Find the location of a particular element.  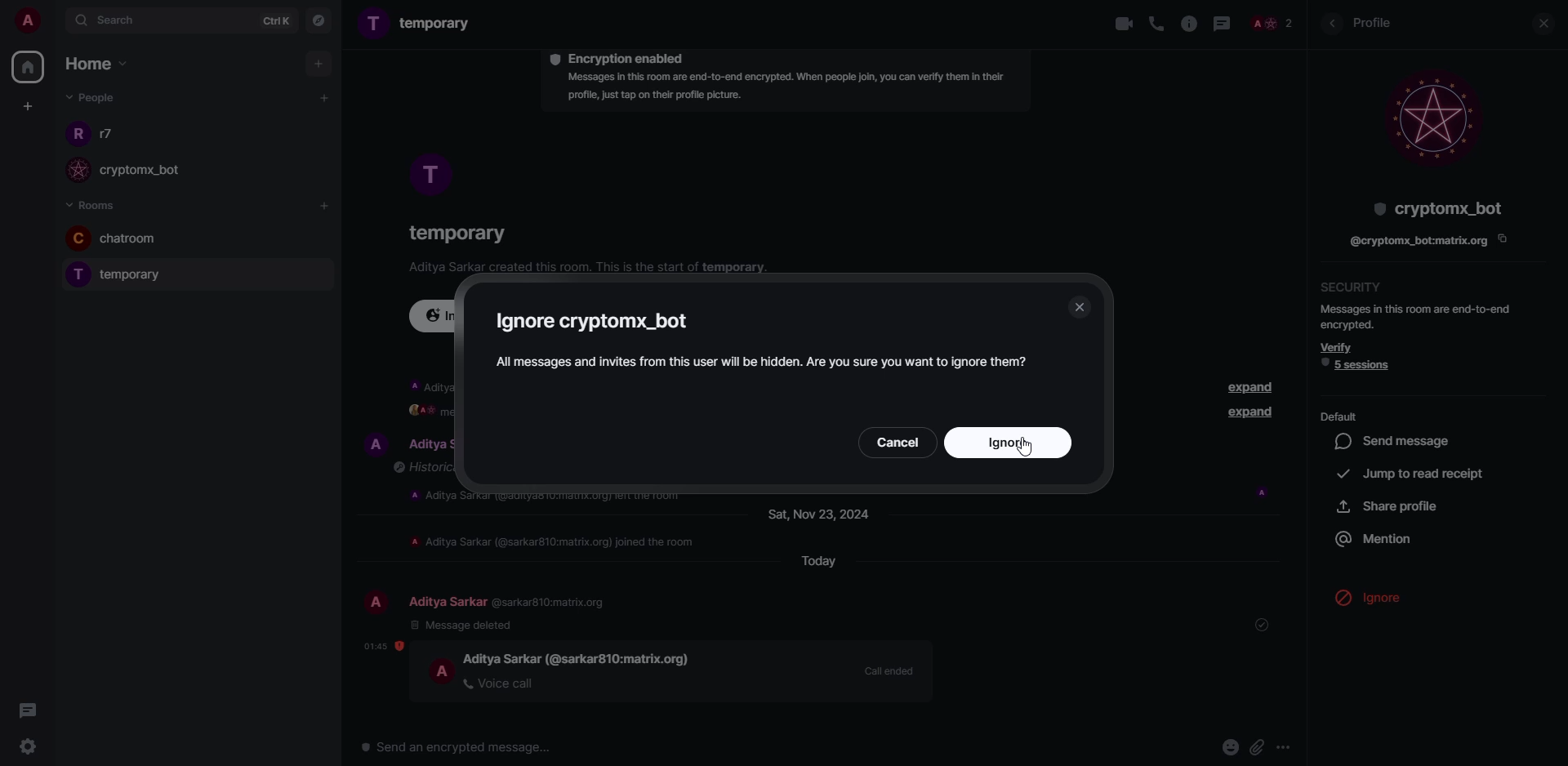

add is located at coordinates (318, 65).